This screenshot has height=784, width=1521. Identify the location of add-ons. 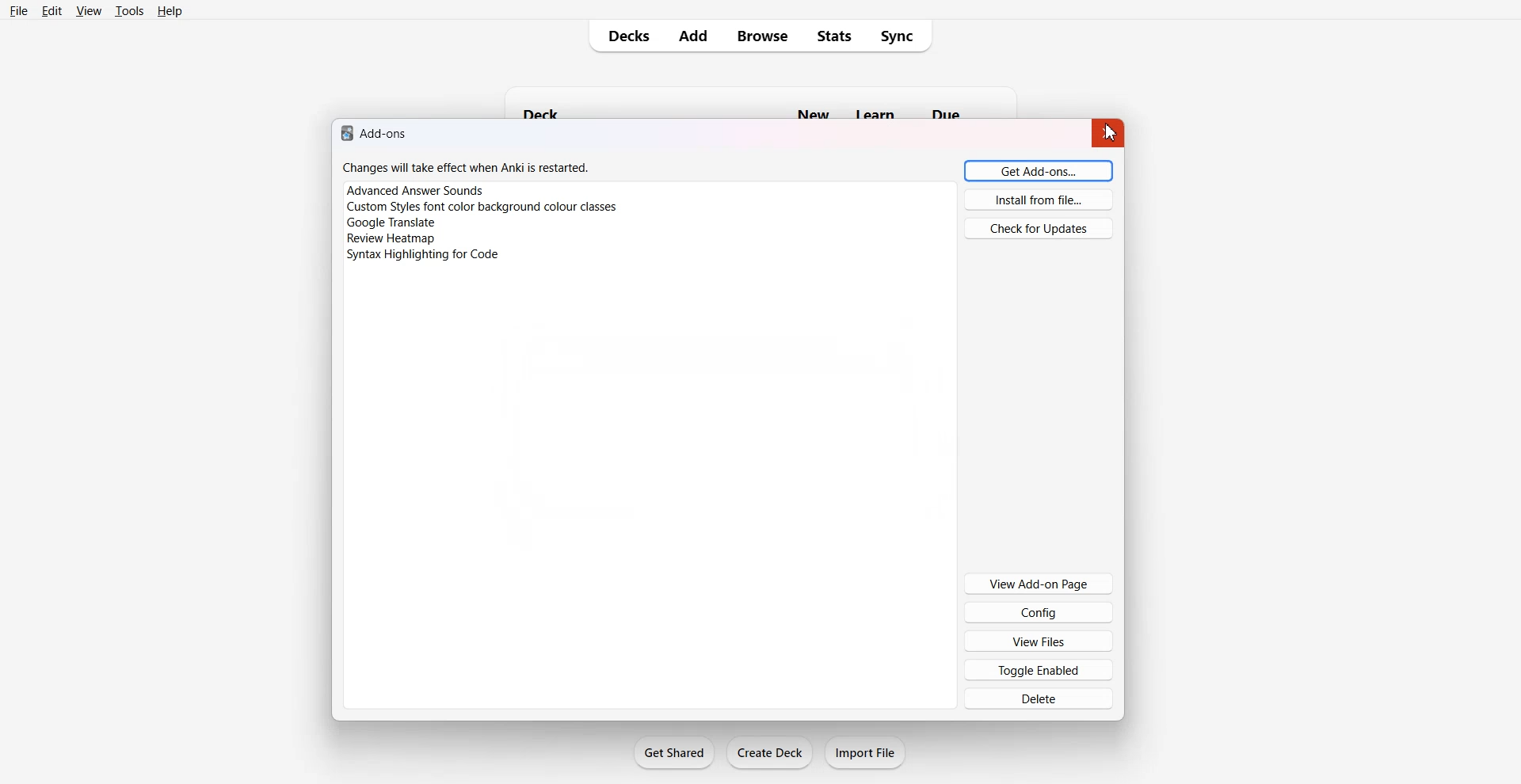
(376, 132).